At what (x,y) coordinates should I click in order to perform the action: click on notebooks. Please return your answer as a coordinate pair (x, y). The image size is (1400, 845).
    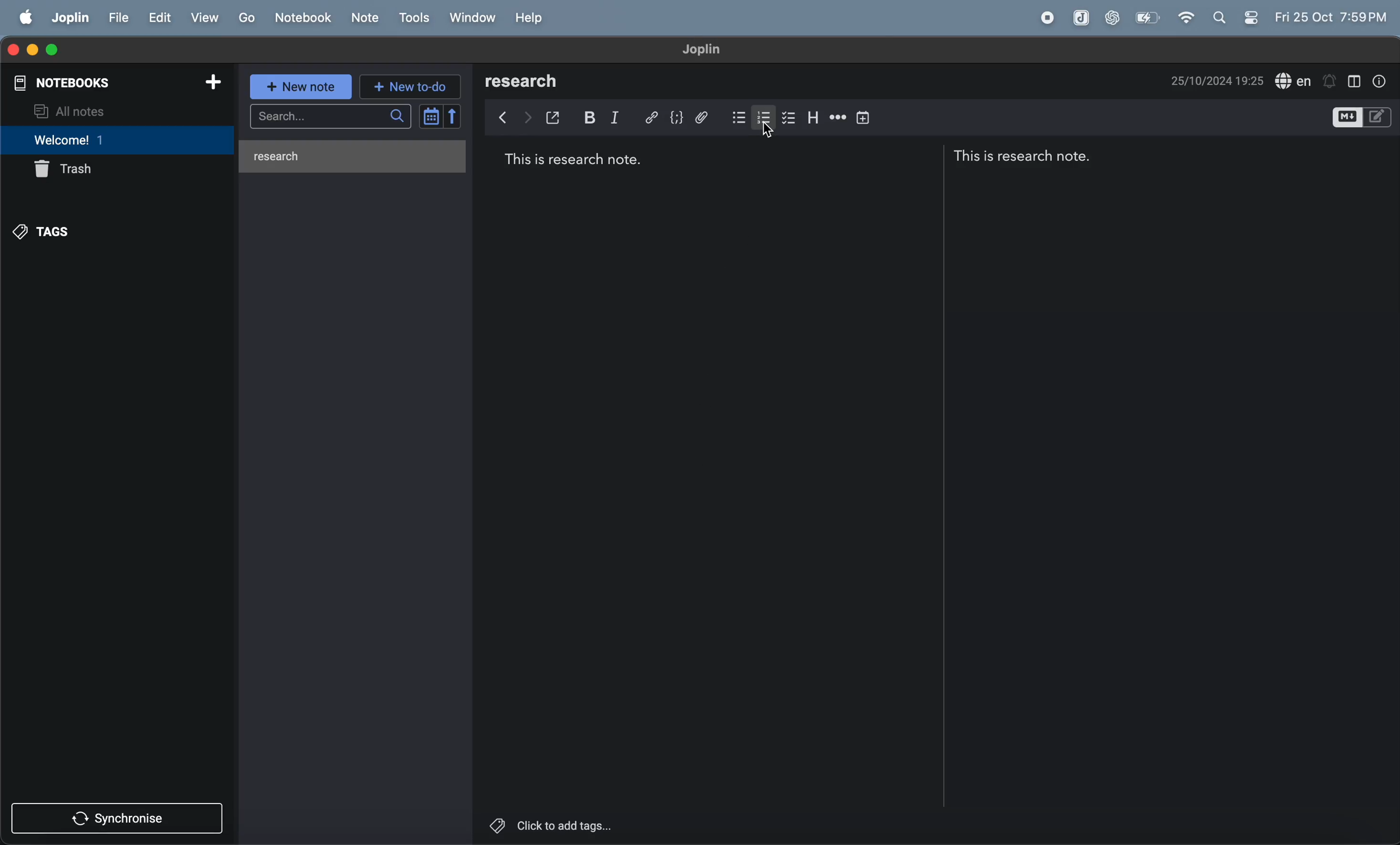
    Looking at the image, I should click on (63, 85).